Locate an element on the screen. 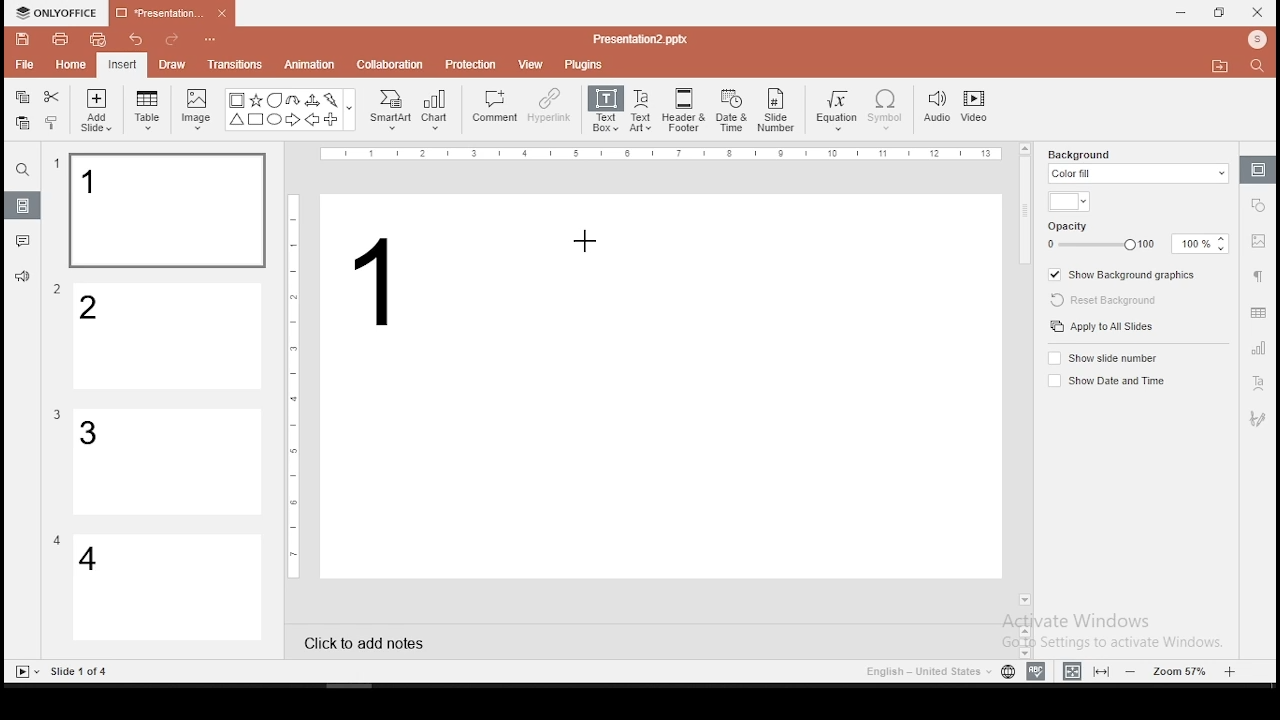 Image resolution: width=1280 pixels, height=720 pixels. paragraph settings is located at coordinates (1256, 274).